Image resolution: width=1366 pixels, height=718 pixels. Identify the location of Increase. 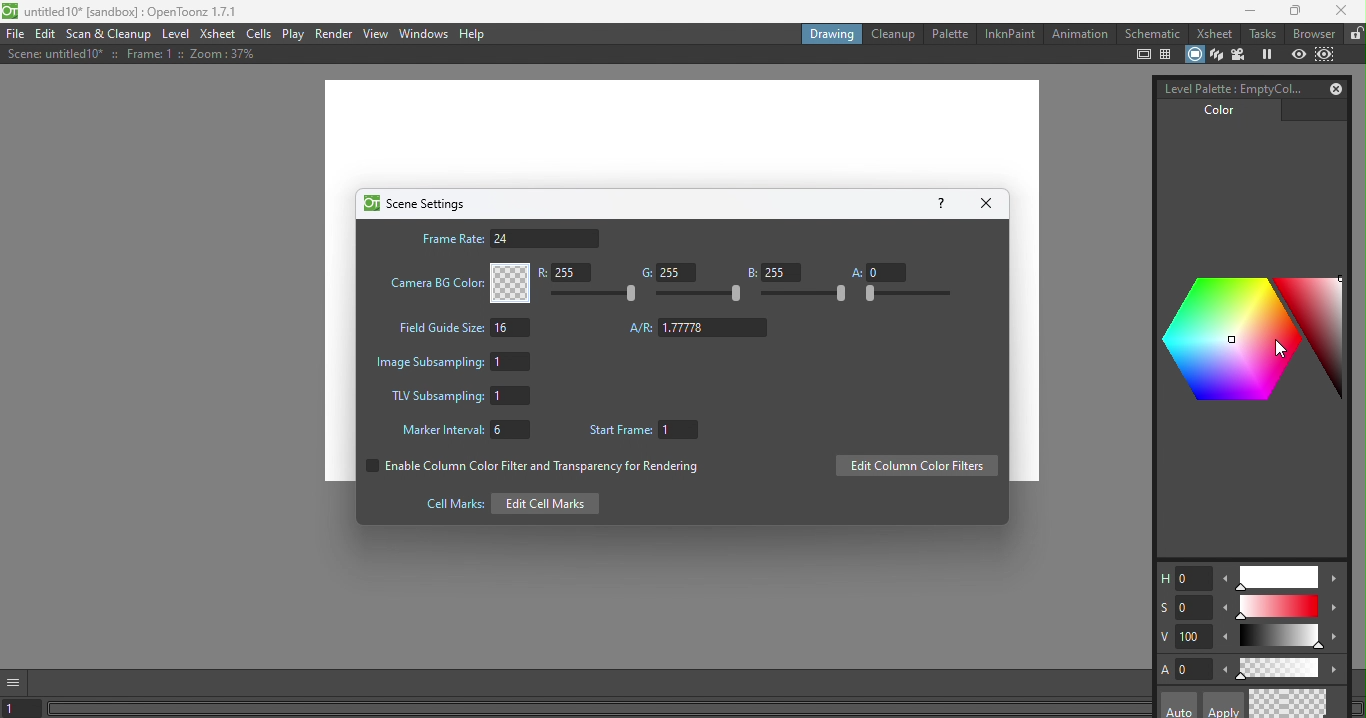
(1336, 640).